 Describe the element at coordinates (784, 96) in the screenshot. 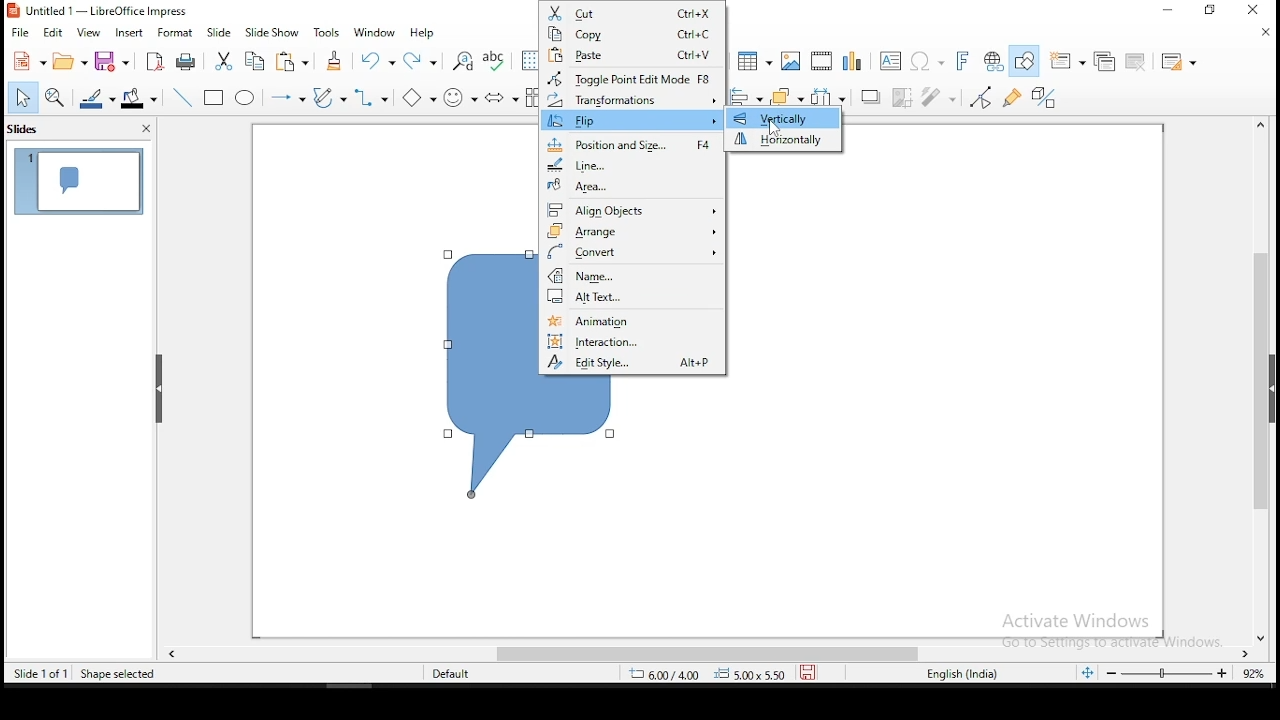

I see `arrange` at that location.